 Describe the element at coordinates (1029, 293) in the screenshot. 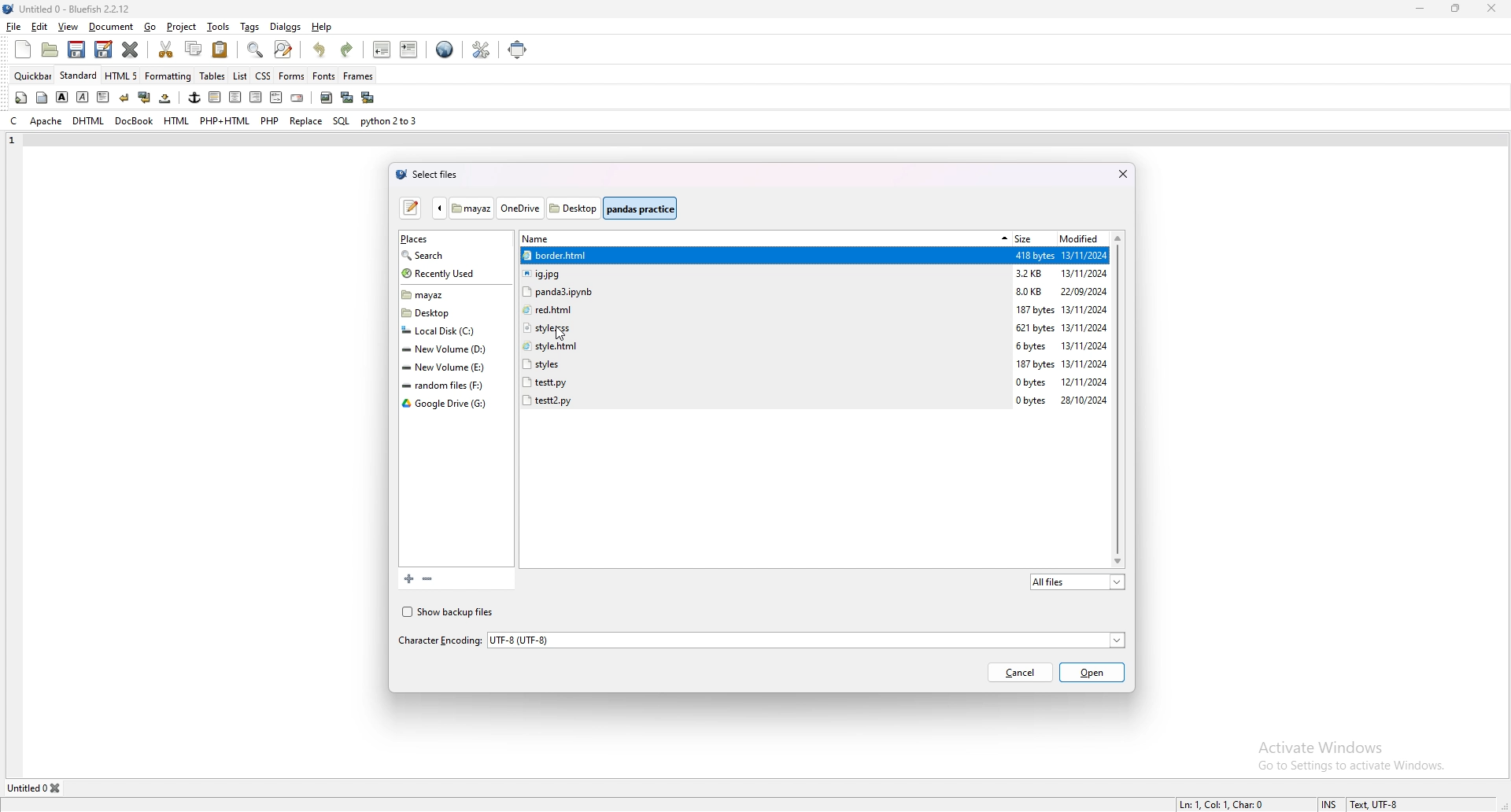

I see `8.0KB` at that location.